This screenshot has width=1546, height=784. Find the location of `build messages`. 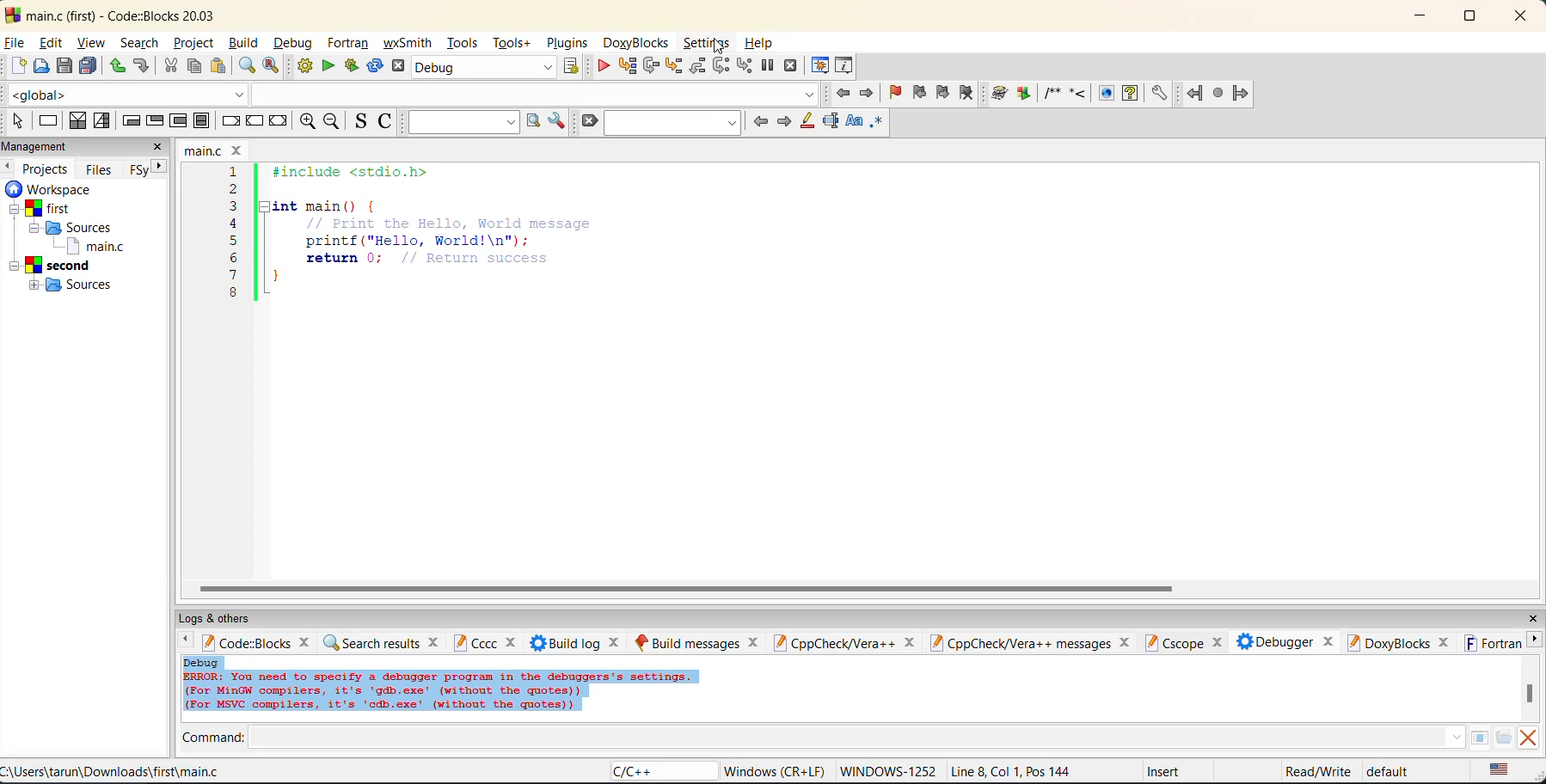

build messages is located at coordinates (700, 641).